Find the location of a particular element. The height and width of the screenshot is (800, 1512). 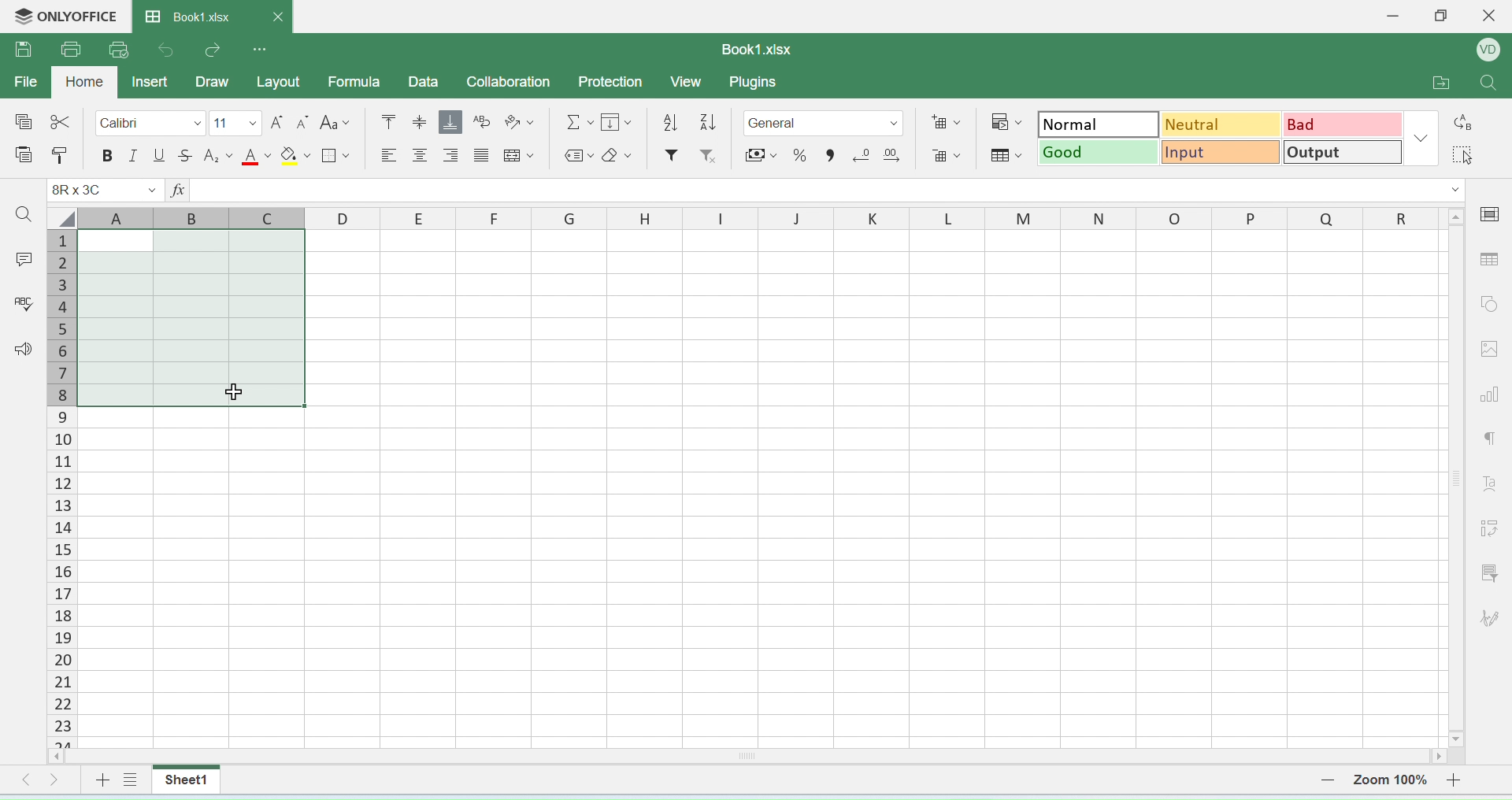

sheet1 is located at coordinates (184, 780).